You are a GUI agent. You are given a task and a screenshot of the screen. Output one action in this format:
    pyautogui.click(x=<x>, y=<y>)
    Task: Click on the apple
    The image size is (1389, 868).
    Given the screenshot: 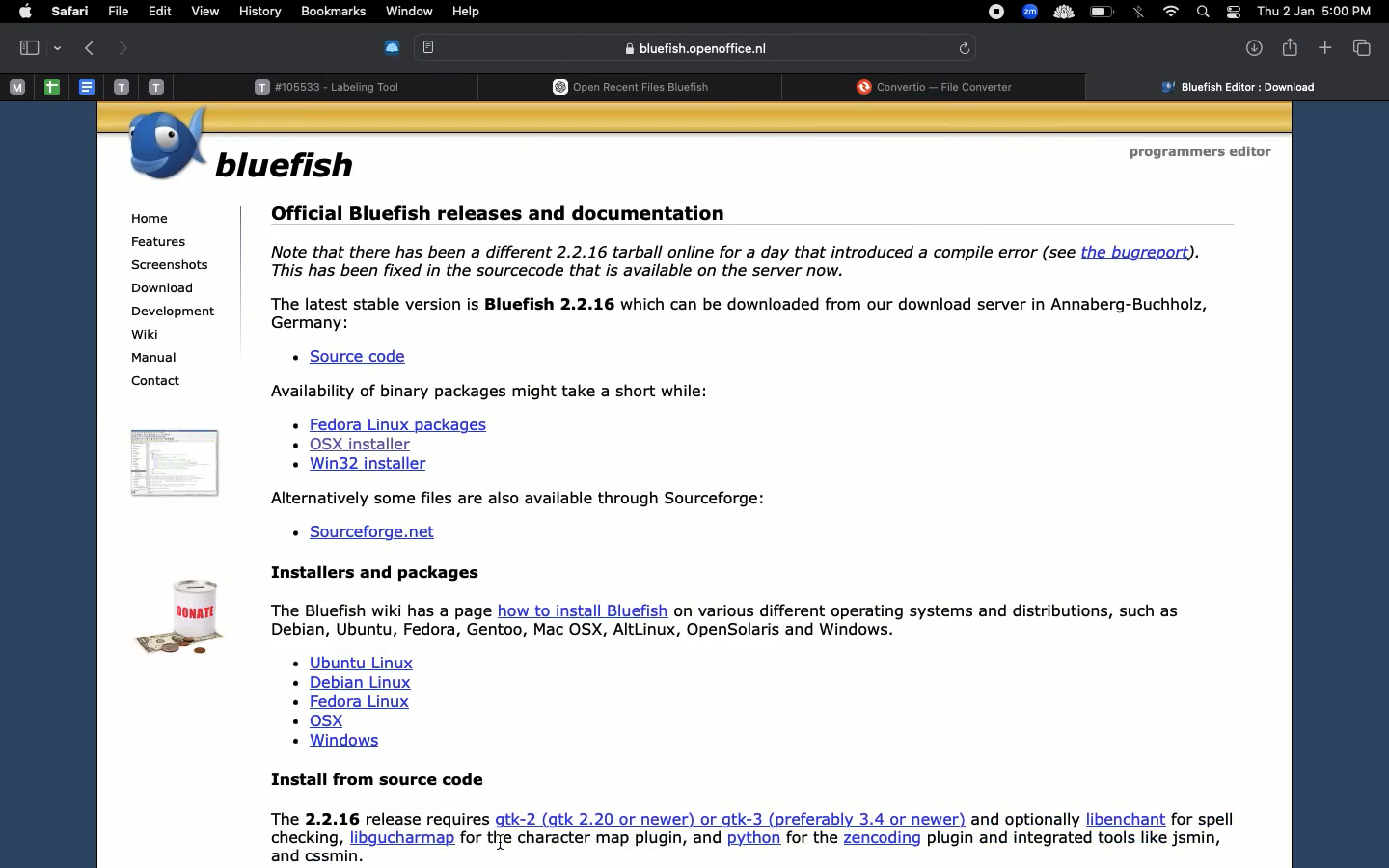 What is the action you would take?
    pyautogui.click(x=24, y=10)
    